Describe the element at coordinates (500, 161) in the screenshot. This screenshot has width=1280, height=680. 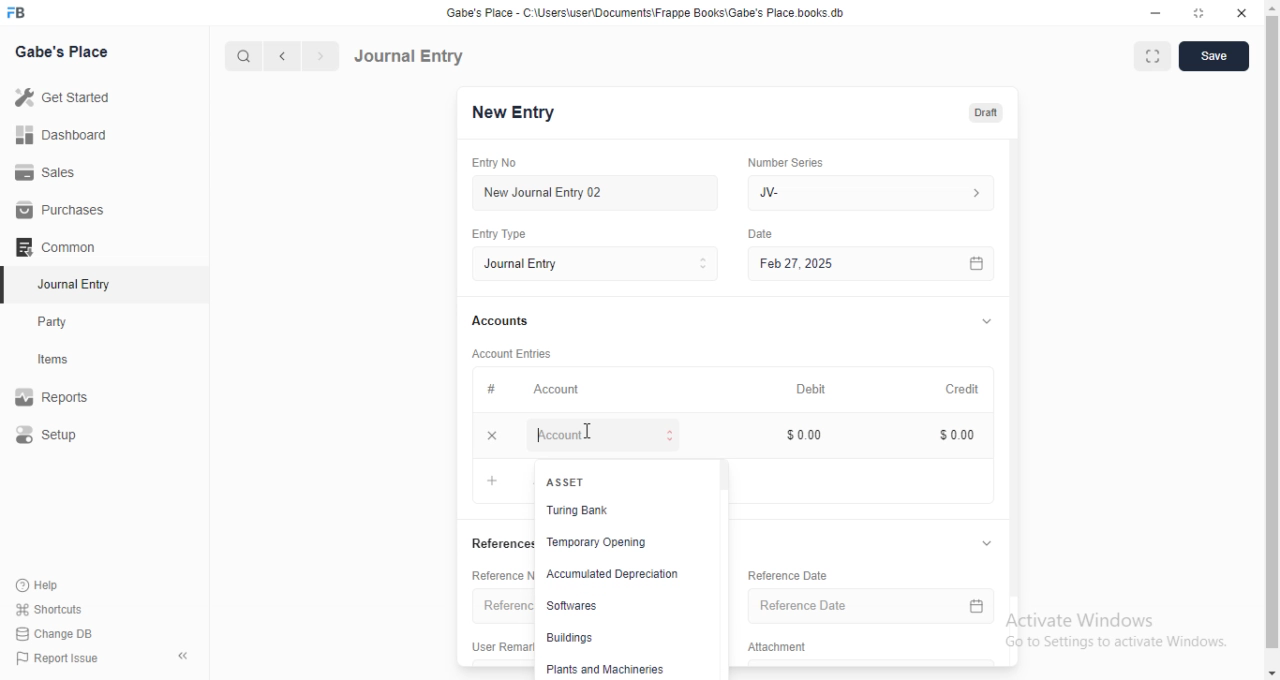
I see `Entry No` at that location.